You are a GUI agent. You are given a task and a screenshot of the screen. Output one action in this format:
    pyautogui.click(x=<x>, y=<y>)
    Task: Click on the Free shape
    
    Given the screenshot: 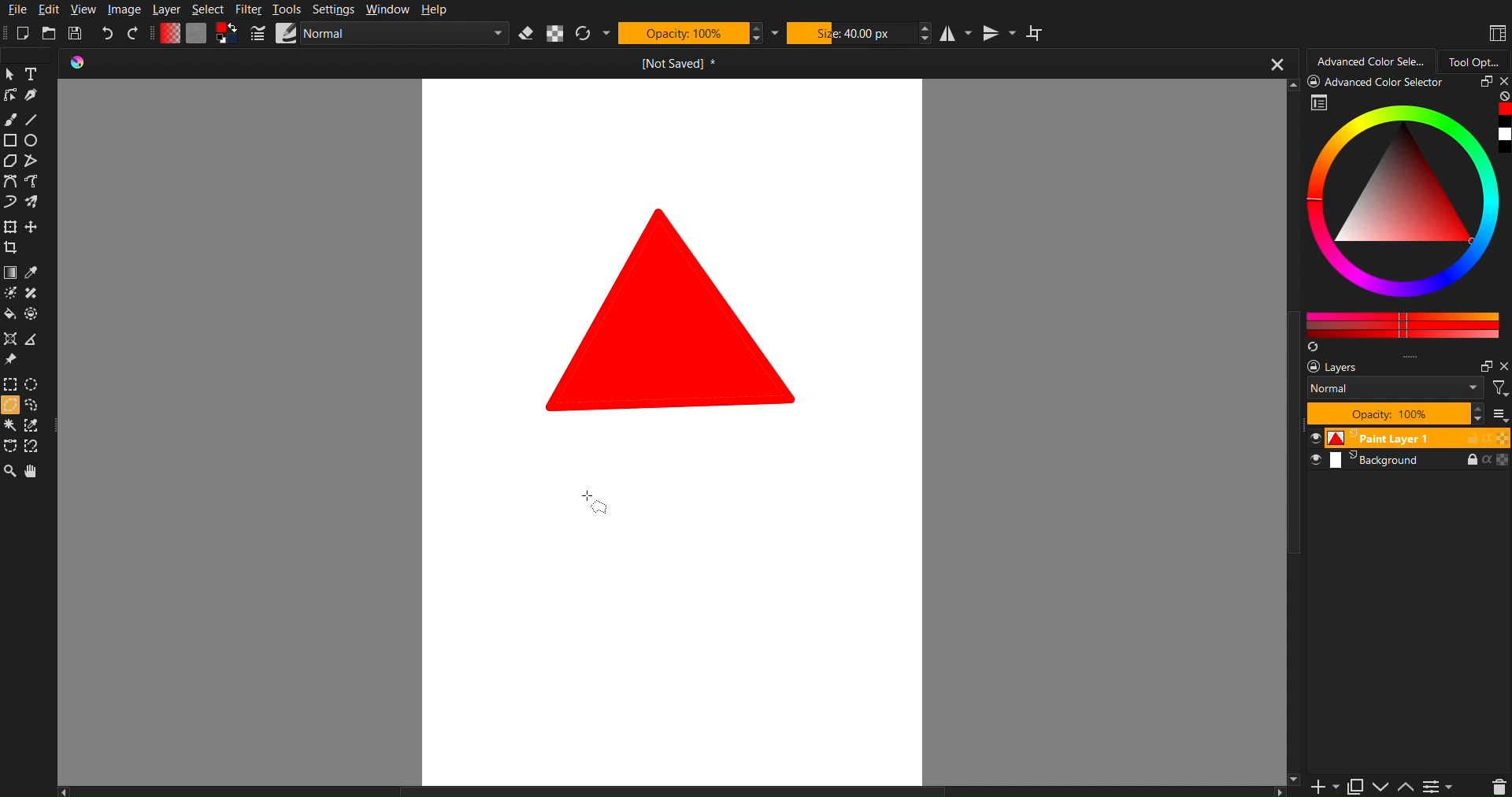 What is the action you would take?
    pyautogui.click(x=34, y=183)
    